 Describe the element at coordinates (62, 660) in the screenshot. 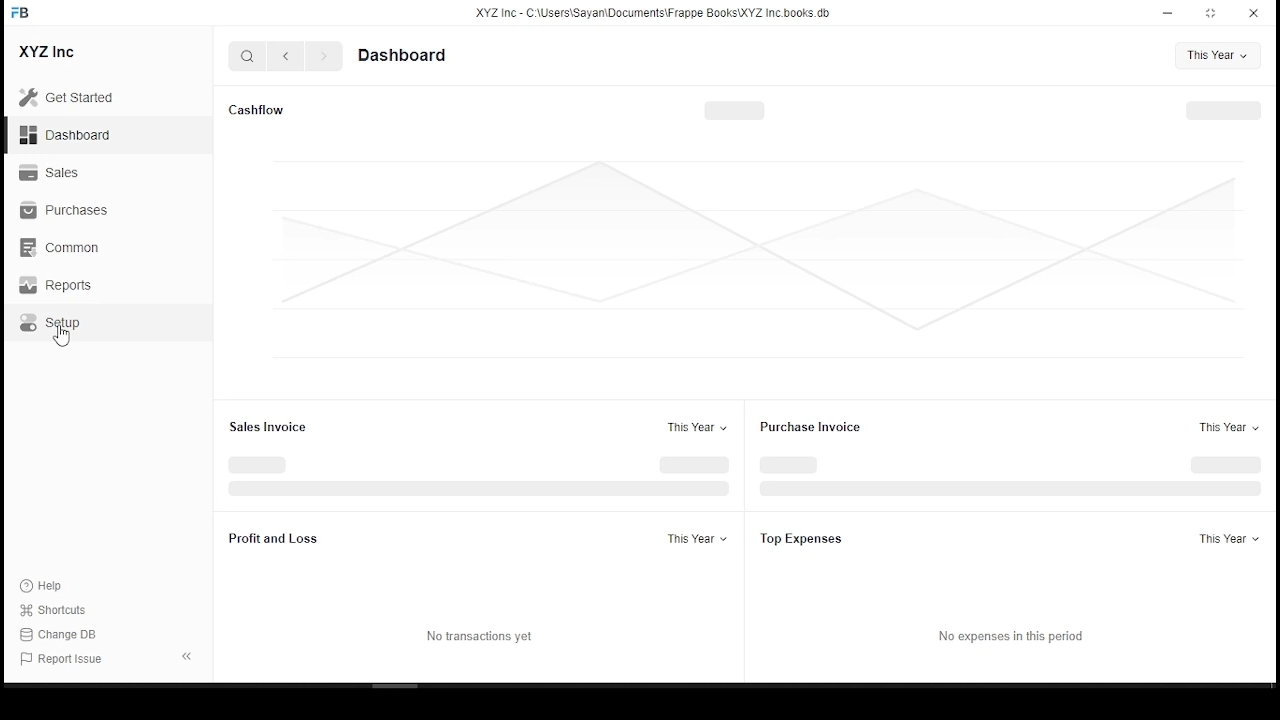

I see `Report Issue` at that location.